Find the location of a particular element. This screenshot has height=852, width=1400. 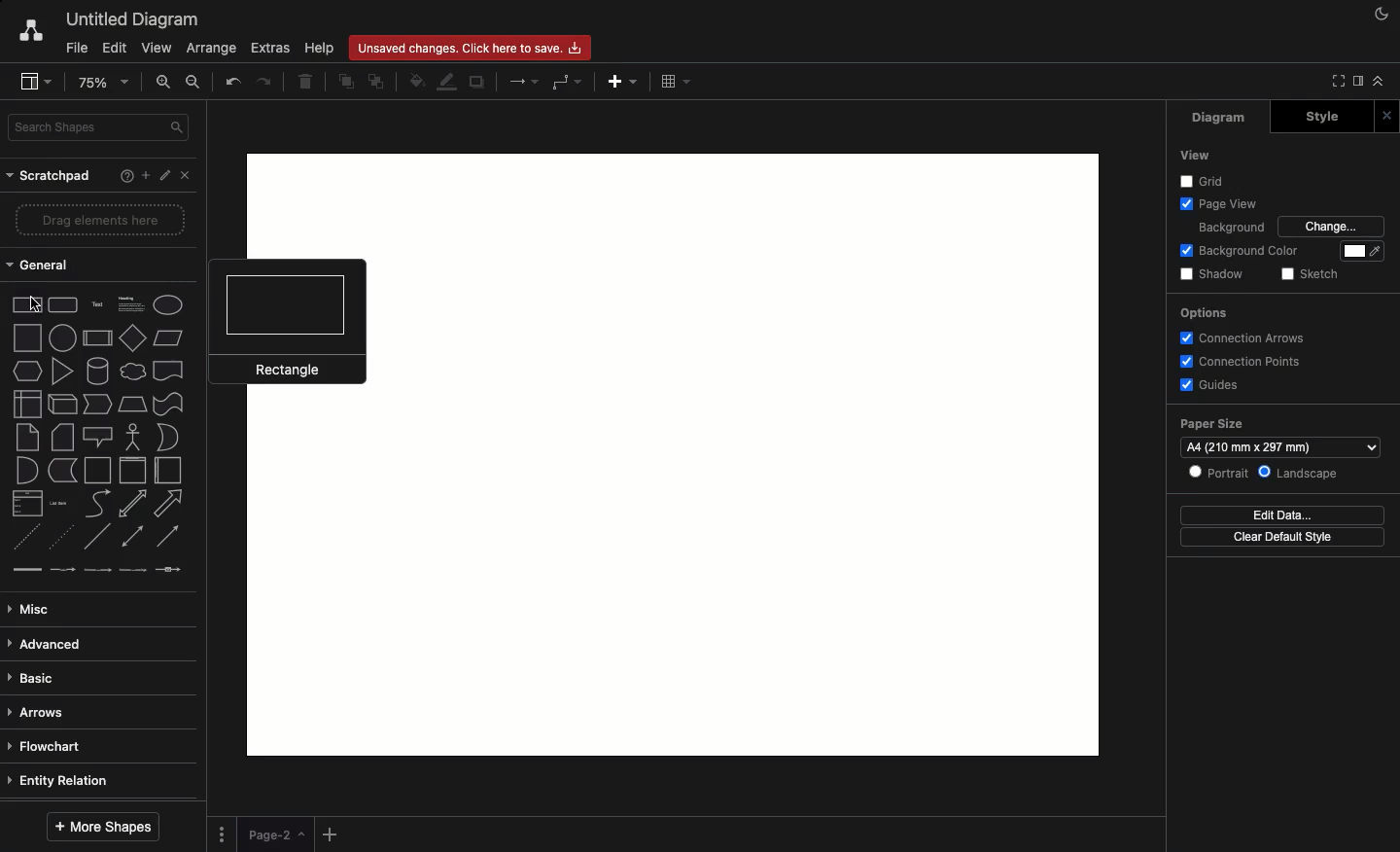

bidirectional connector is located at coordinates (132, 534).